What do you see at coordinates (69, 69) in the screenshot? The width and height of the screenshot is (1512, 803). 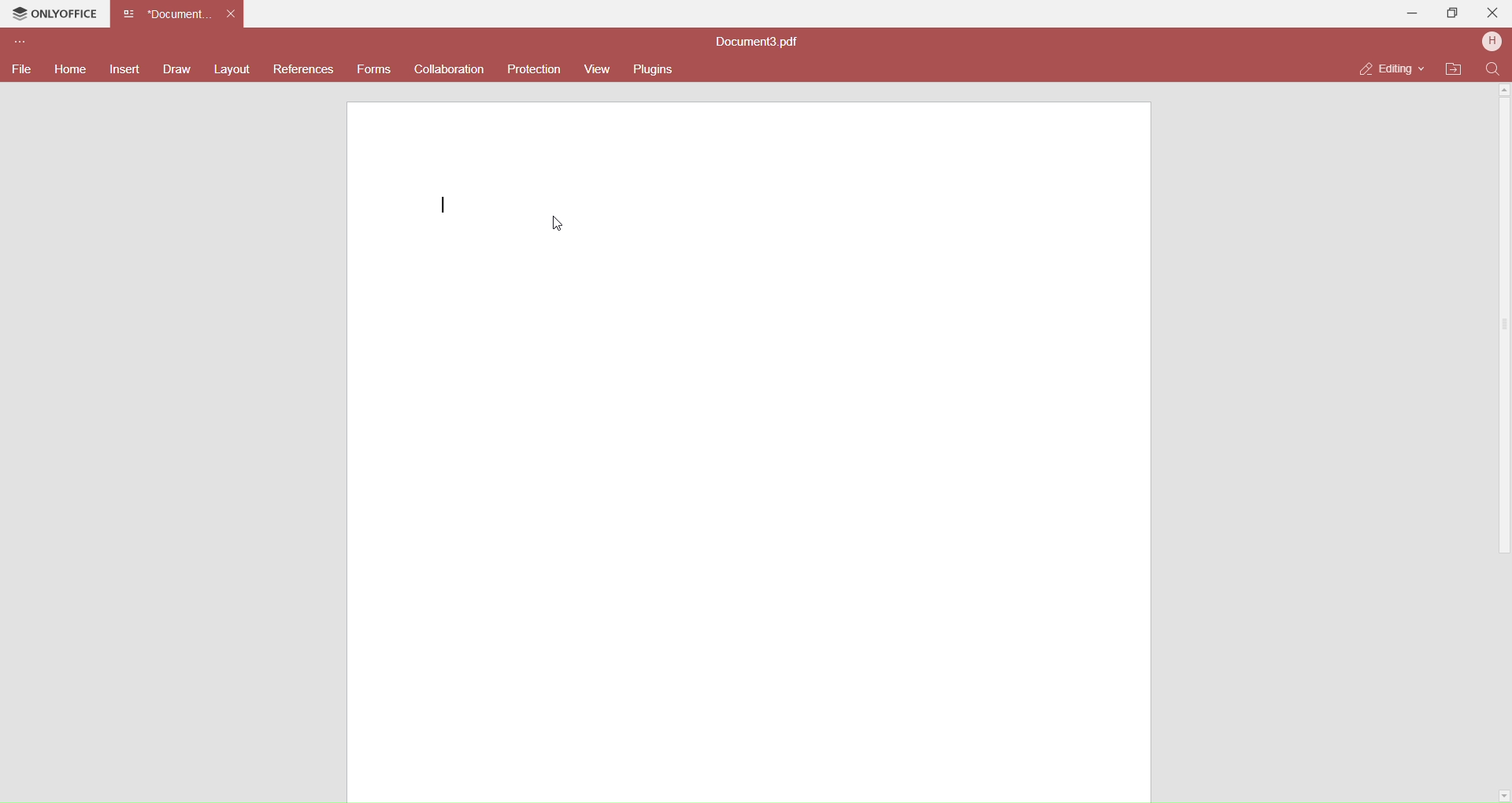 I see `Home` at bounding box center [69, 69].